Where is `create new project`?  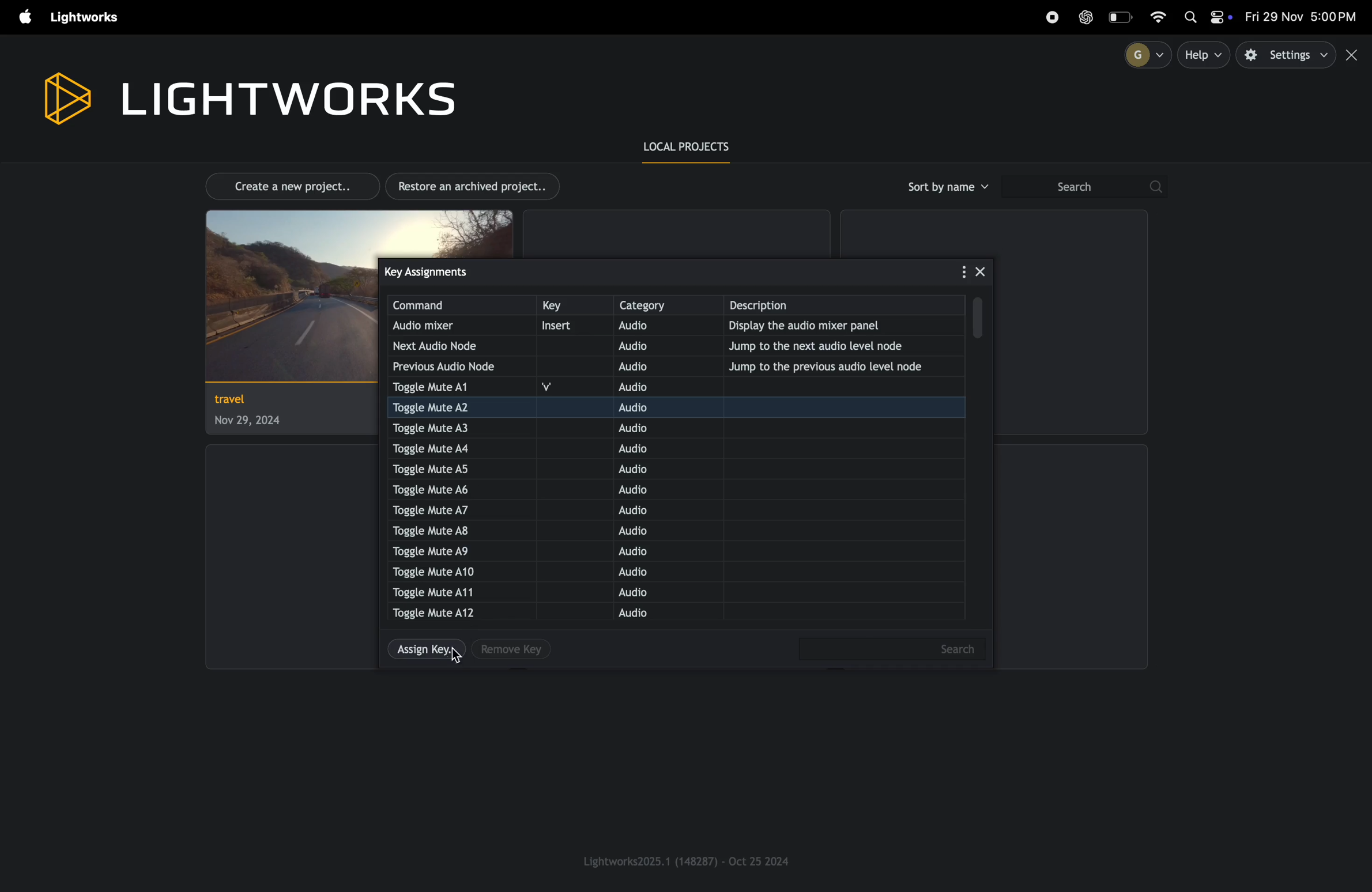 create new project is located at coordinates (286, 185).